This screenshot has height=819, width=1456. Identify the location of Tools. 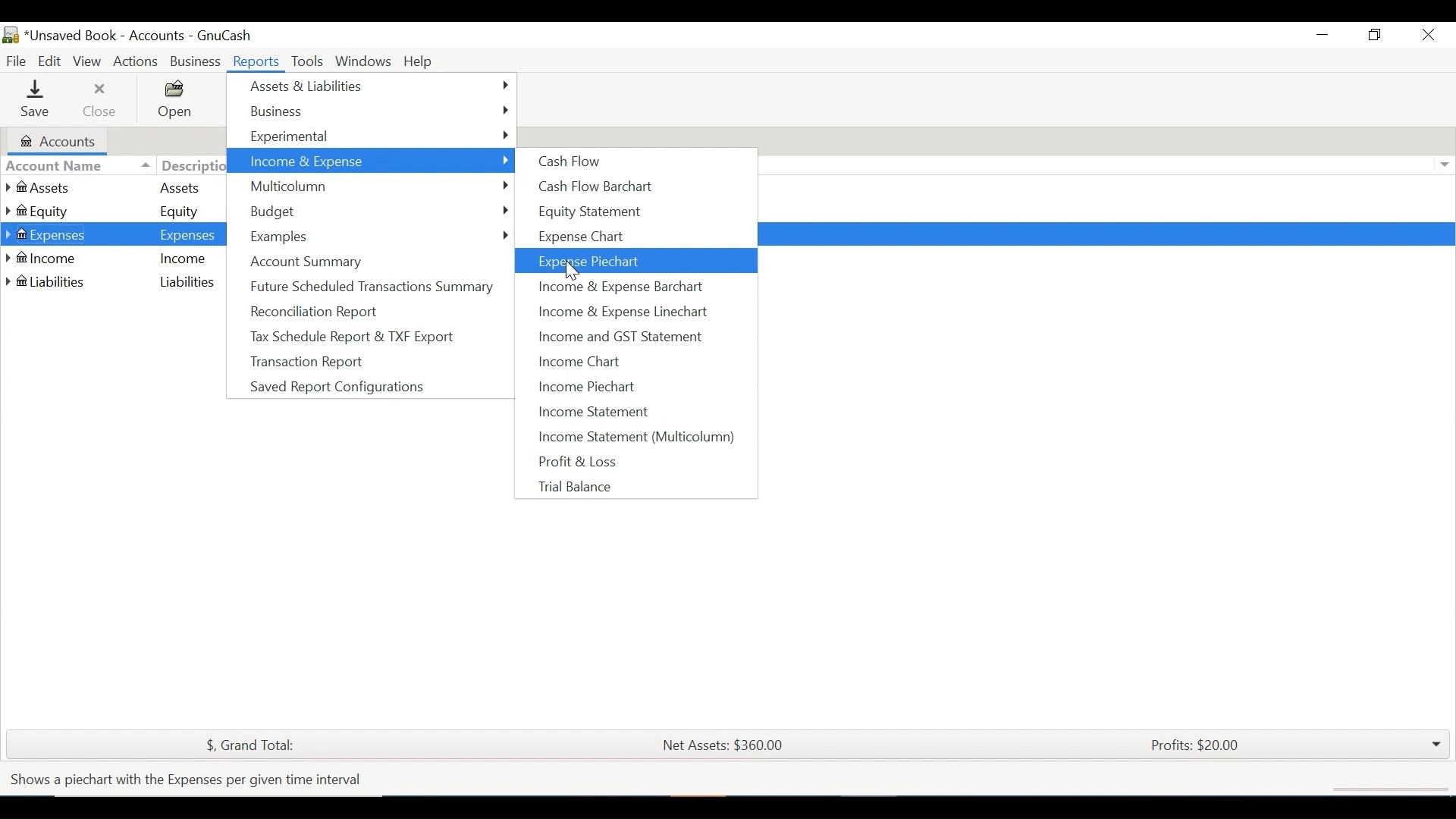
(303, 61).